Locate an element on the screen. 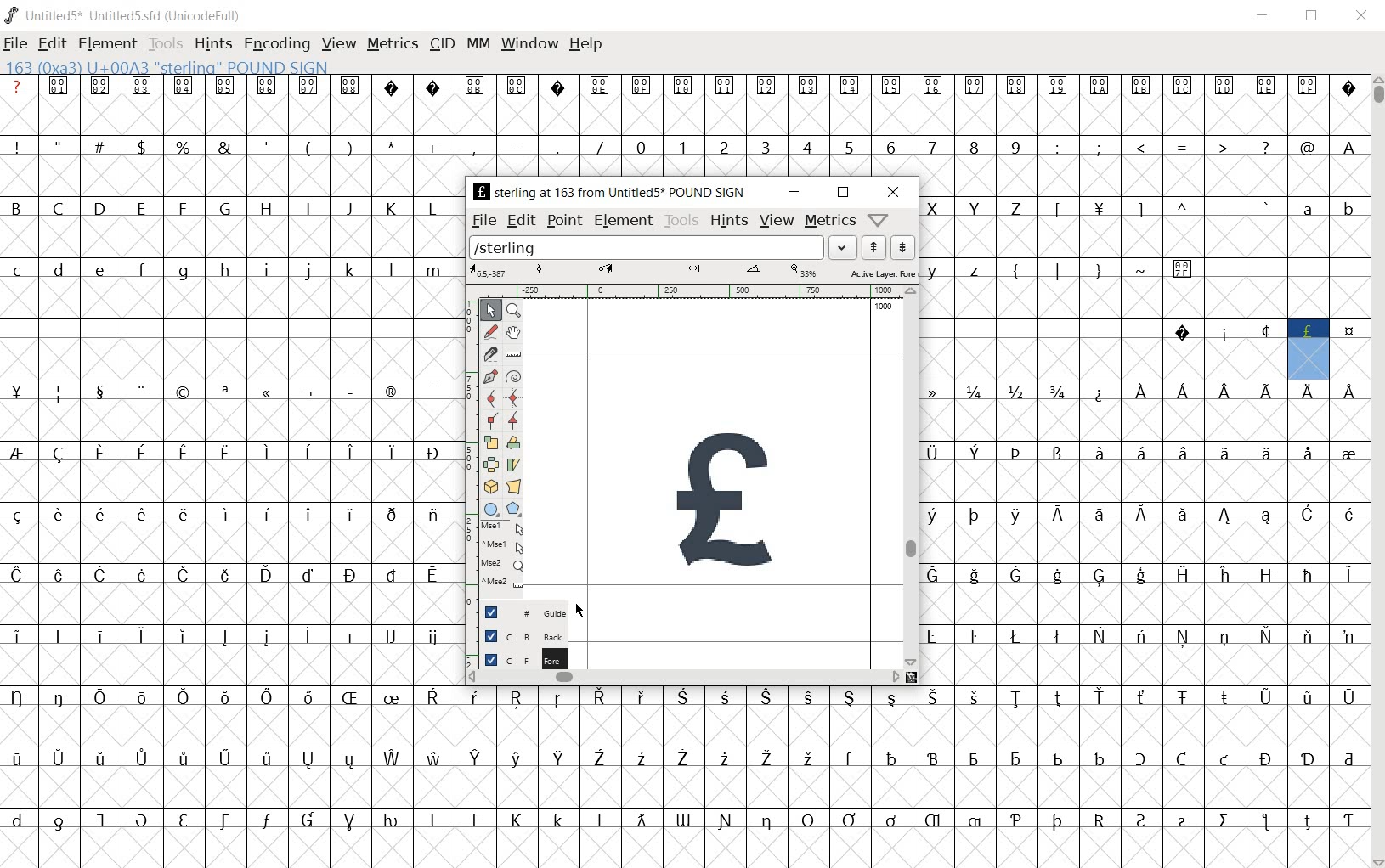 Image resolution: width=1385 pixels, height=868 pixels. Symbol is located at coordinates (432, 578).